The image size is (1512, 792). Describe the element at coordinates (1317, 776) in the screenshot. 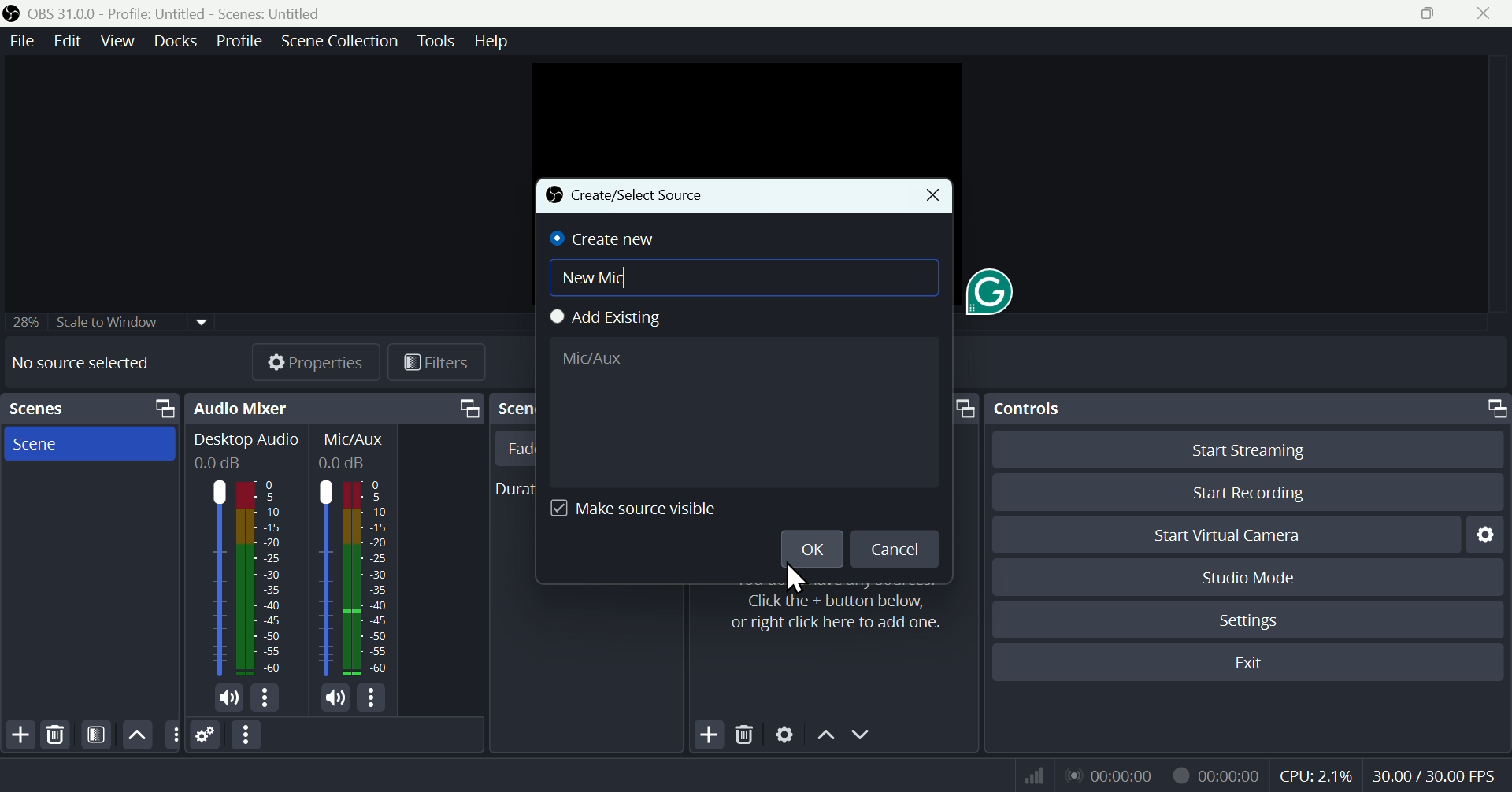

I see `CPU Usage` at that location.